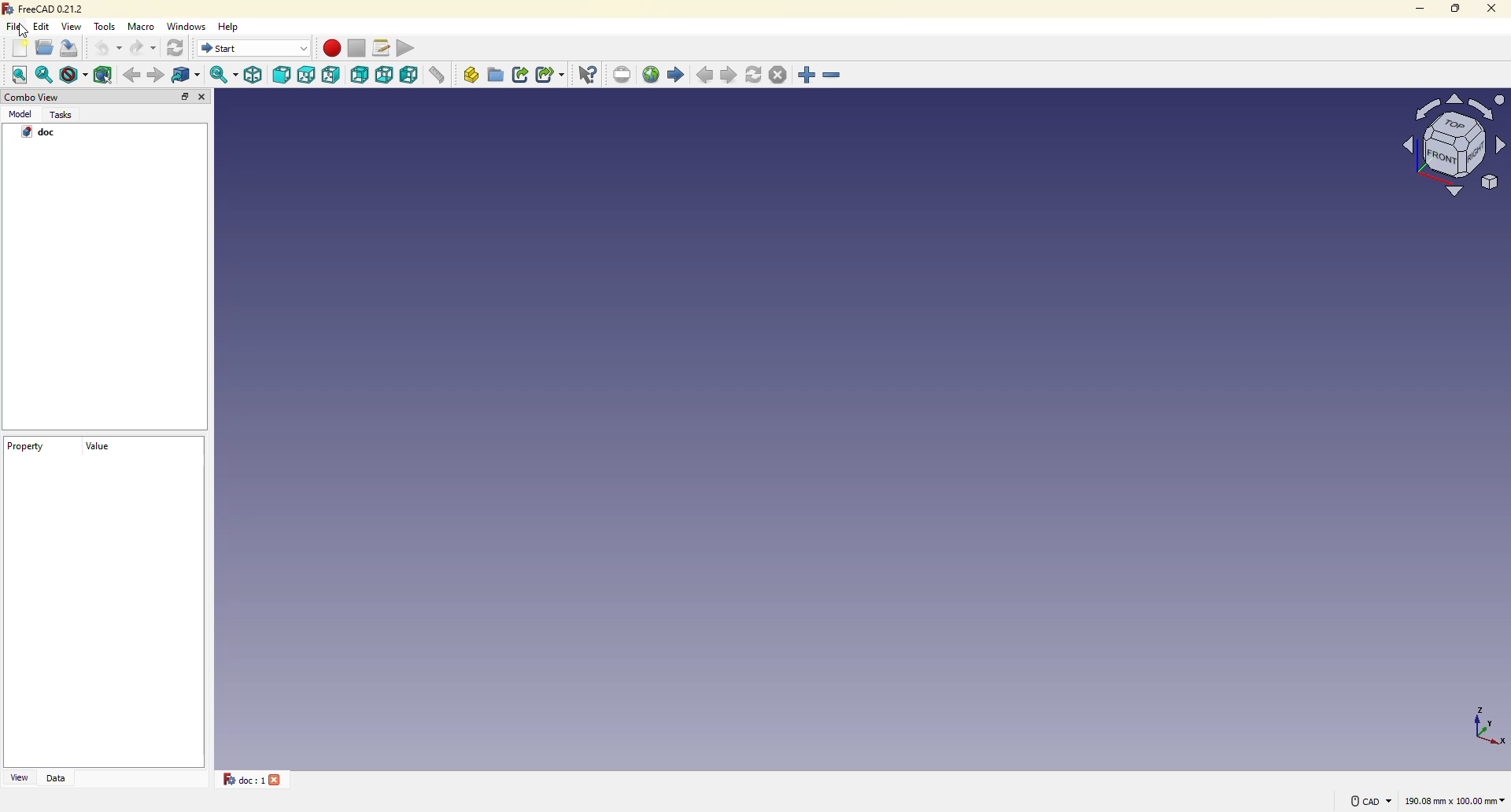  What do you see at coordinates (471, 74) in the screenshot?
I see `create part` at bounding box center [471, 74].